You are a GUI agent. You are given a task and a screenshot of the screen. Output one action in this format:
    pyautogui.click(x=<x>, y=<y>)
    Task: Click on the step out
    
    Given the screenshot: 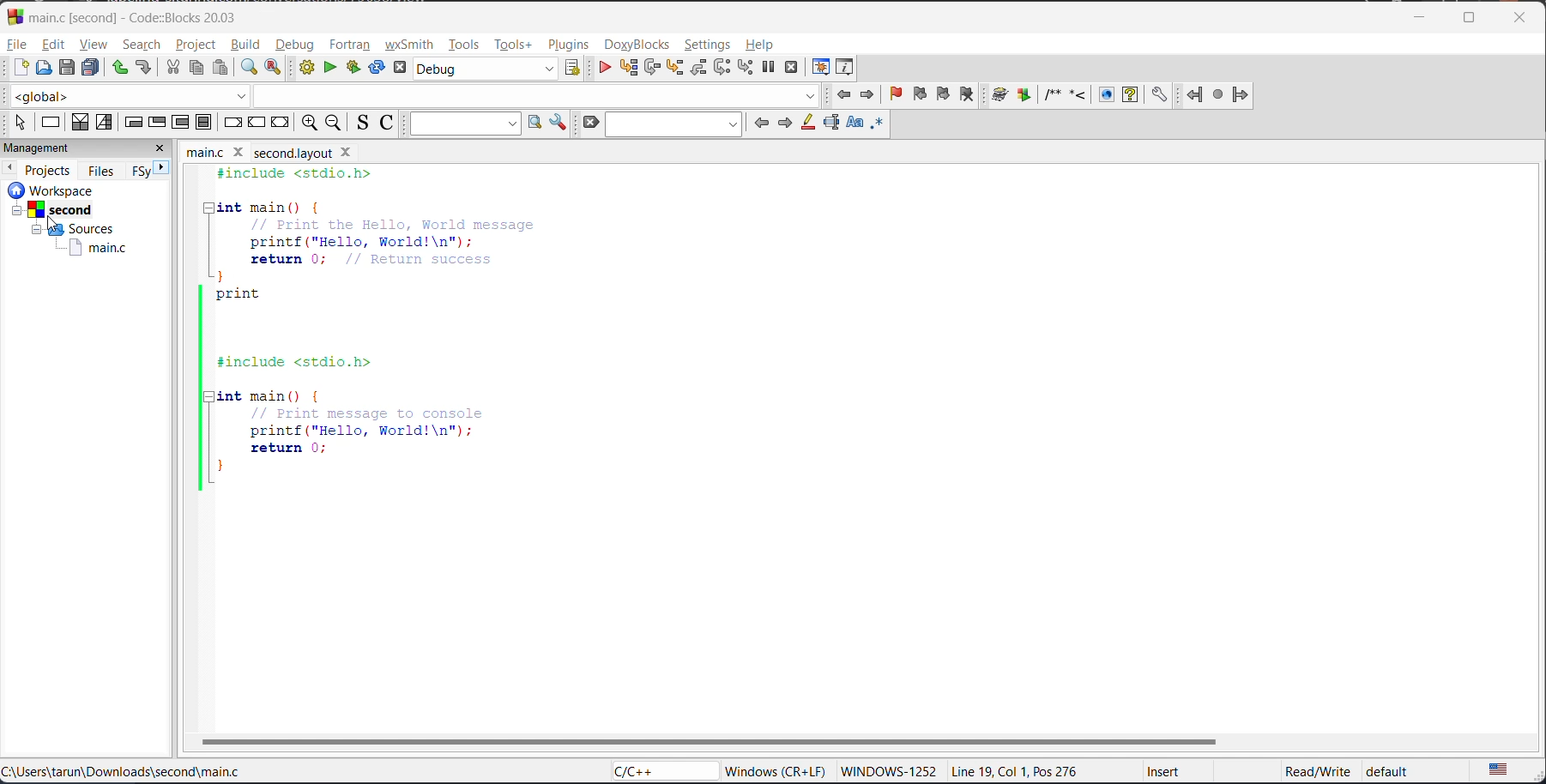 What is the action you would take?
    pyautogui.click(x=697, y=69)
    